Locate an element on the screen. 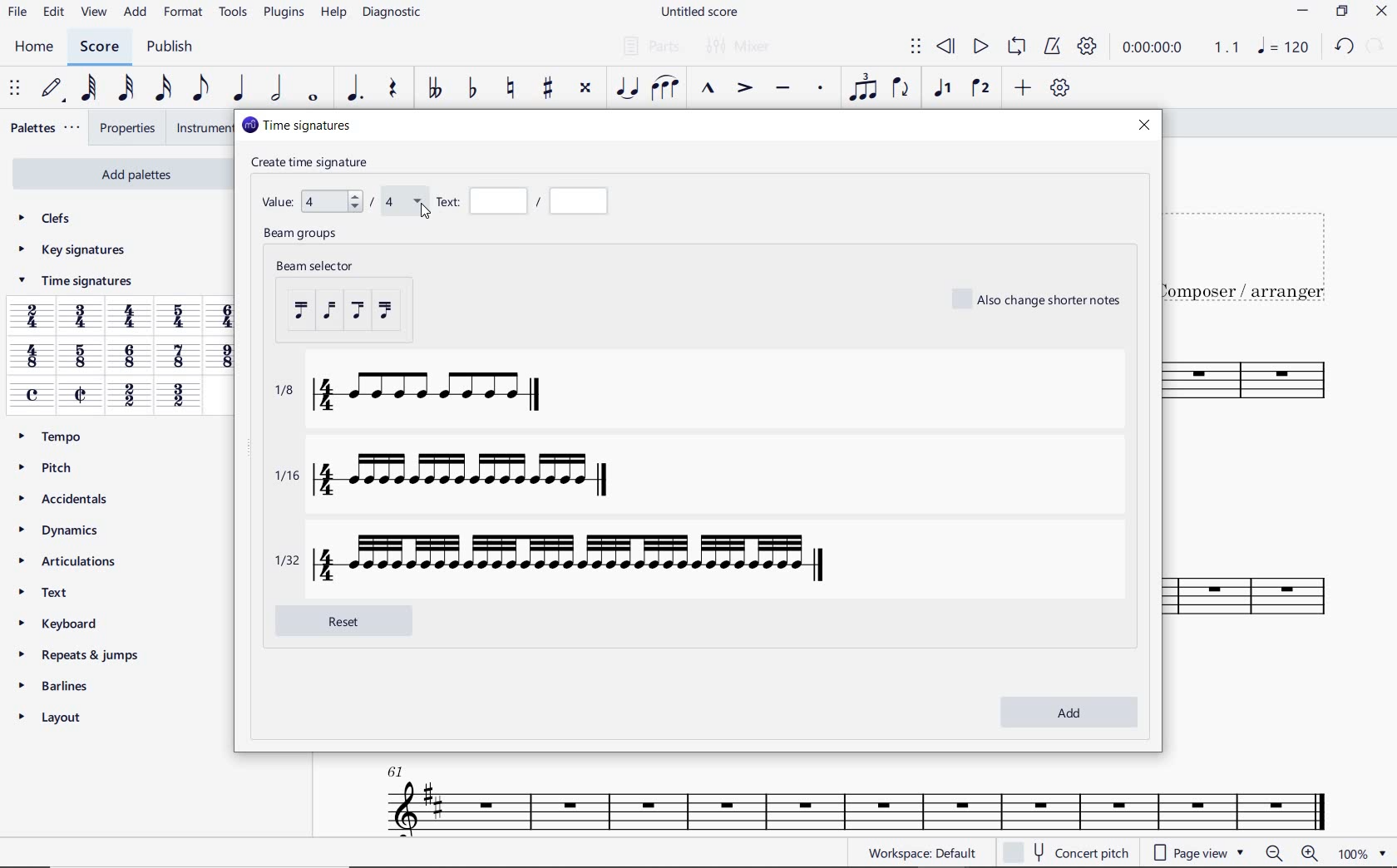 The height and width of the screenshot is (868, 1397). TOOLS is located at coordinates (230, 12).